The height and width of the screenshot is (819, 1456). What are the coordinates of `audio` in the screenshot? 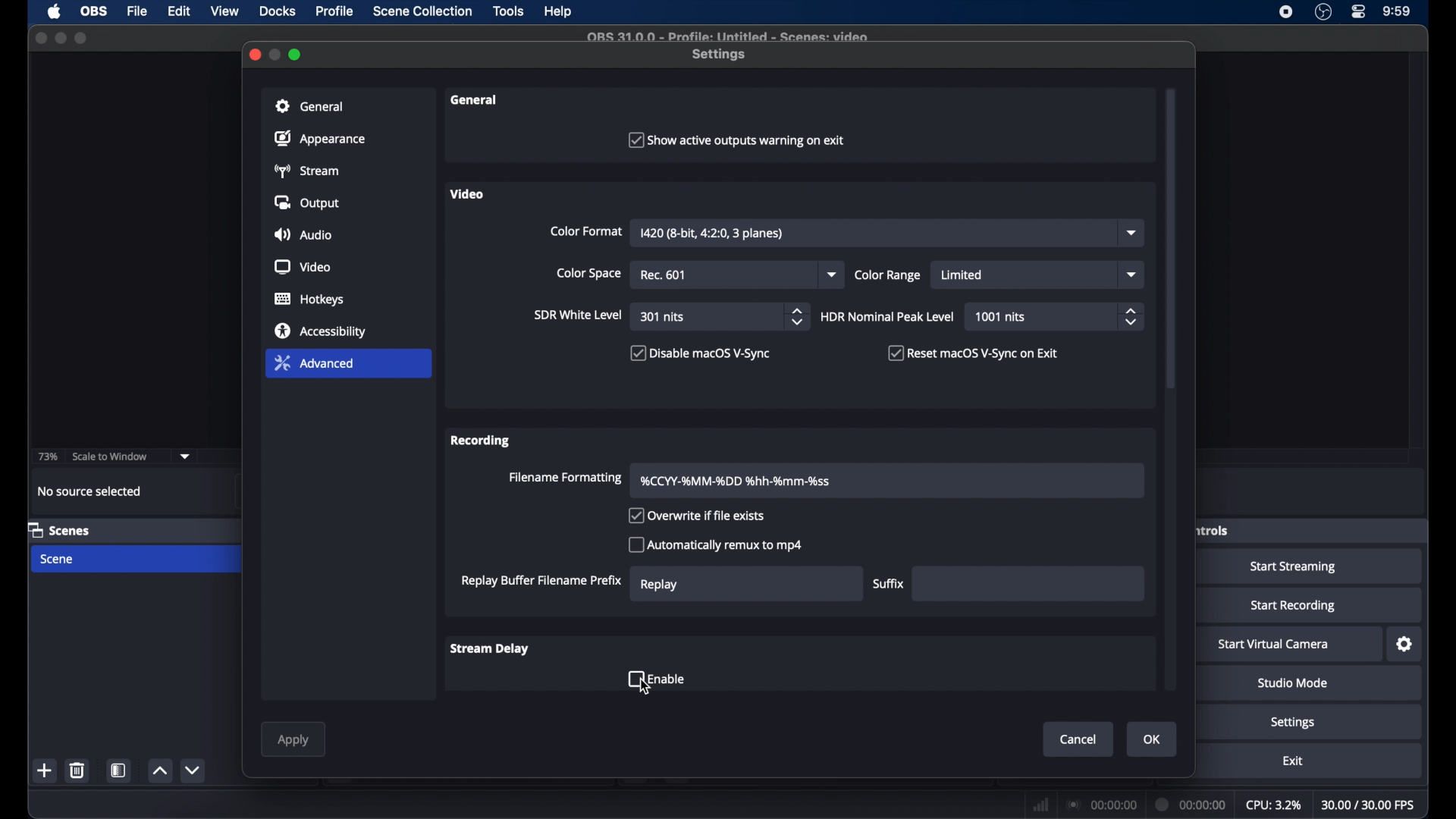 It's located at (303, 234).